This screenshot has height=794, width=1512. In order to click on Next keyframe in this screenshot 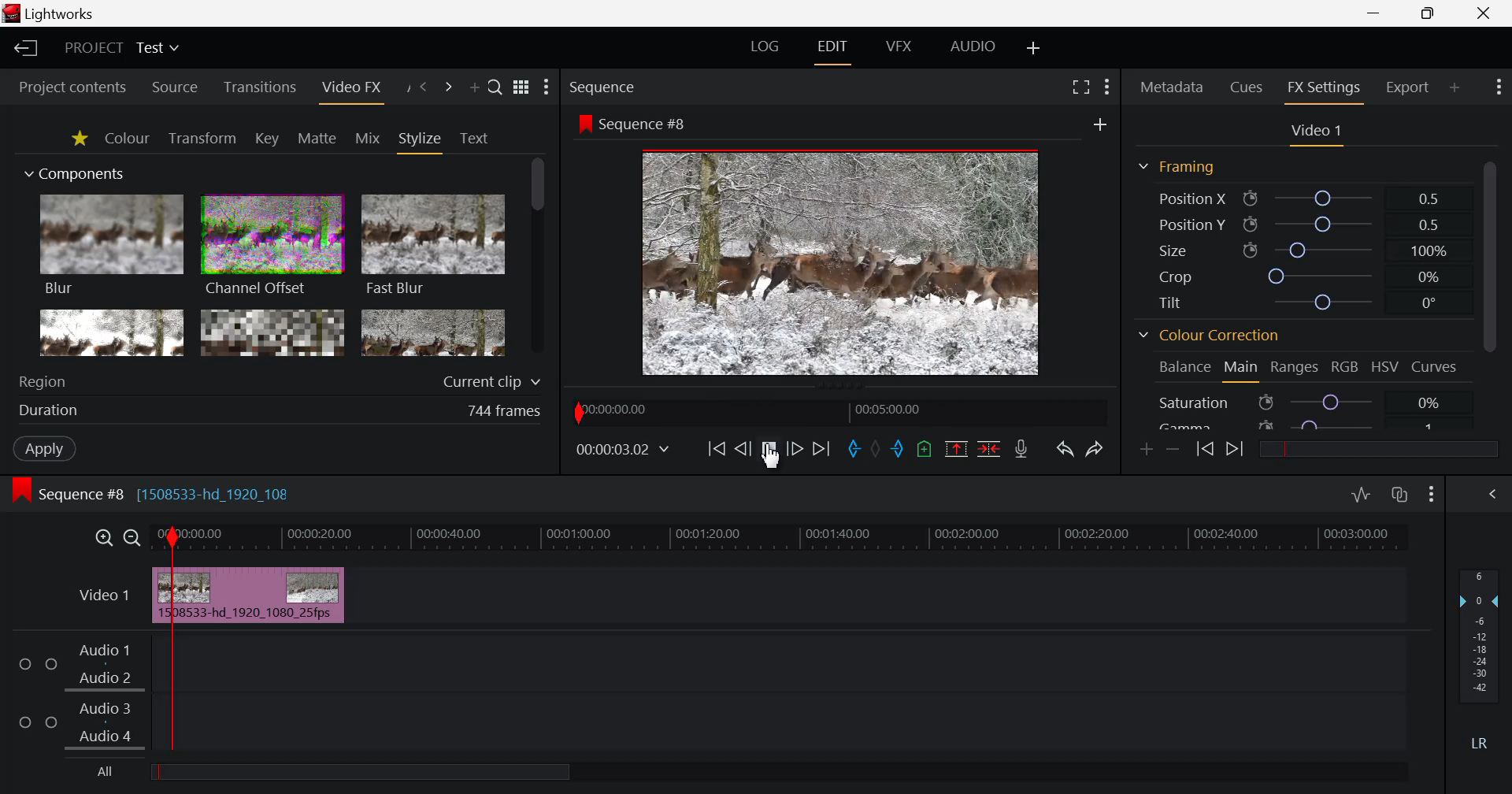, I will do `click(1236, 451)`.